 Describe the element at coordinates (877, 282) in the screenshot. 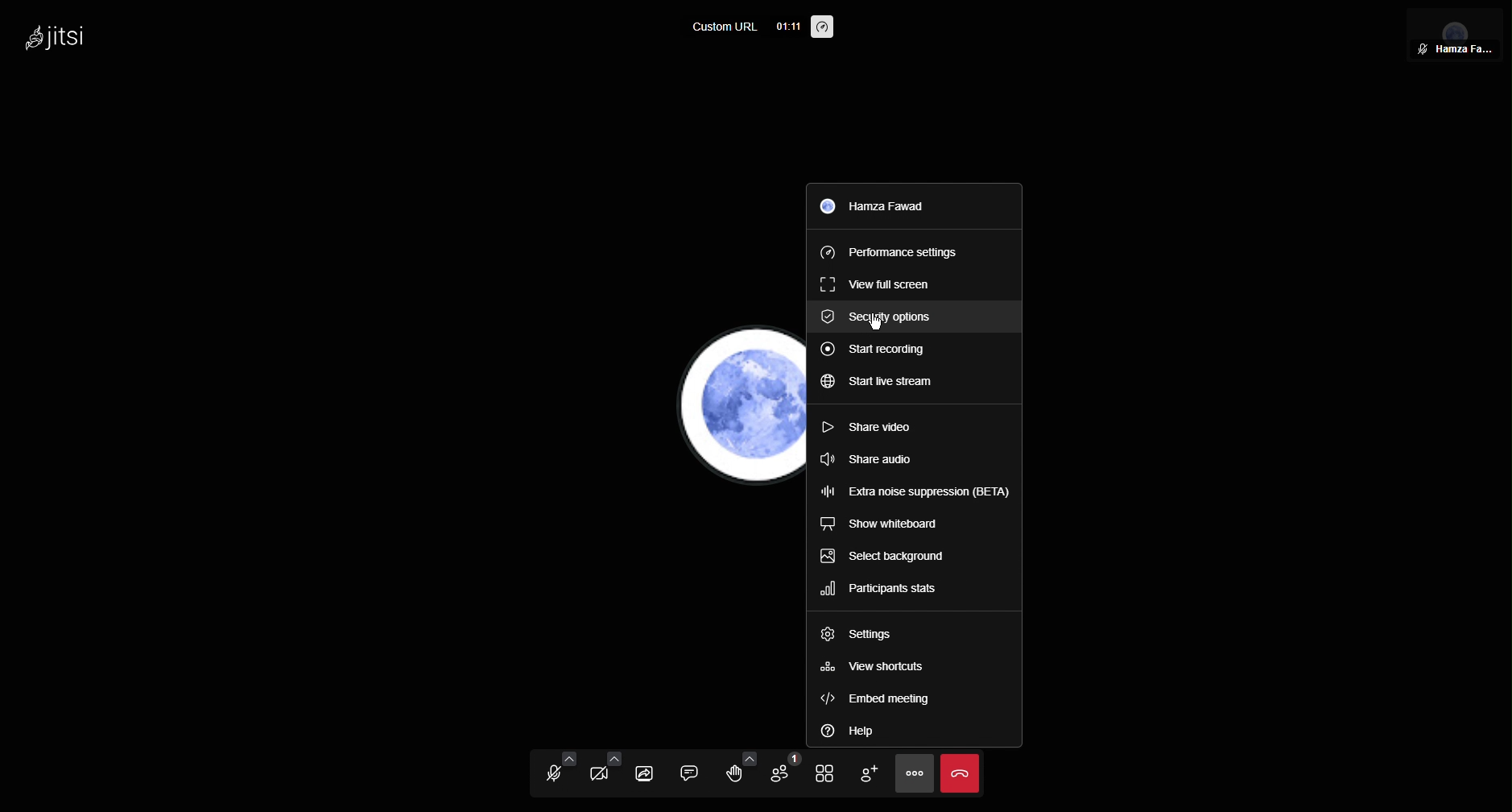

I see `Fullscreen` at that location.